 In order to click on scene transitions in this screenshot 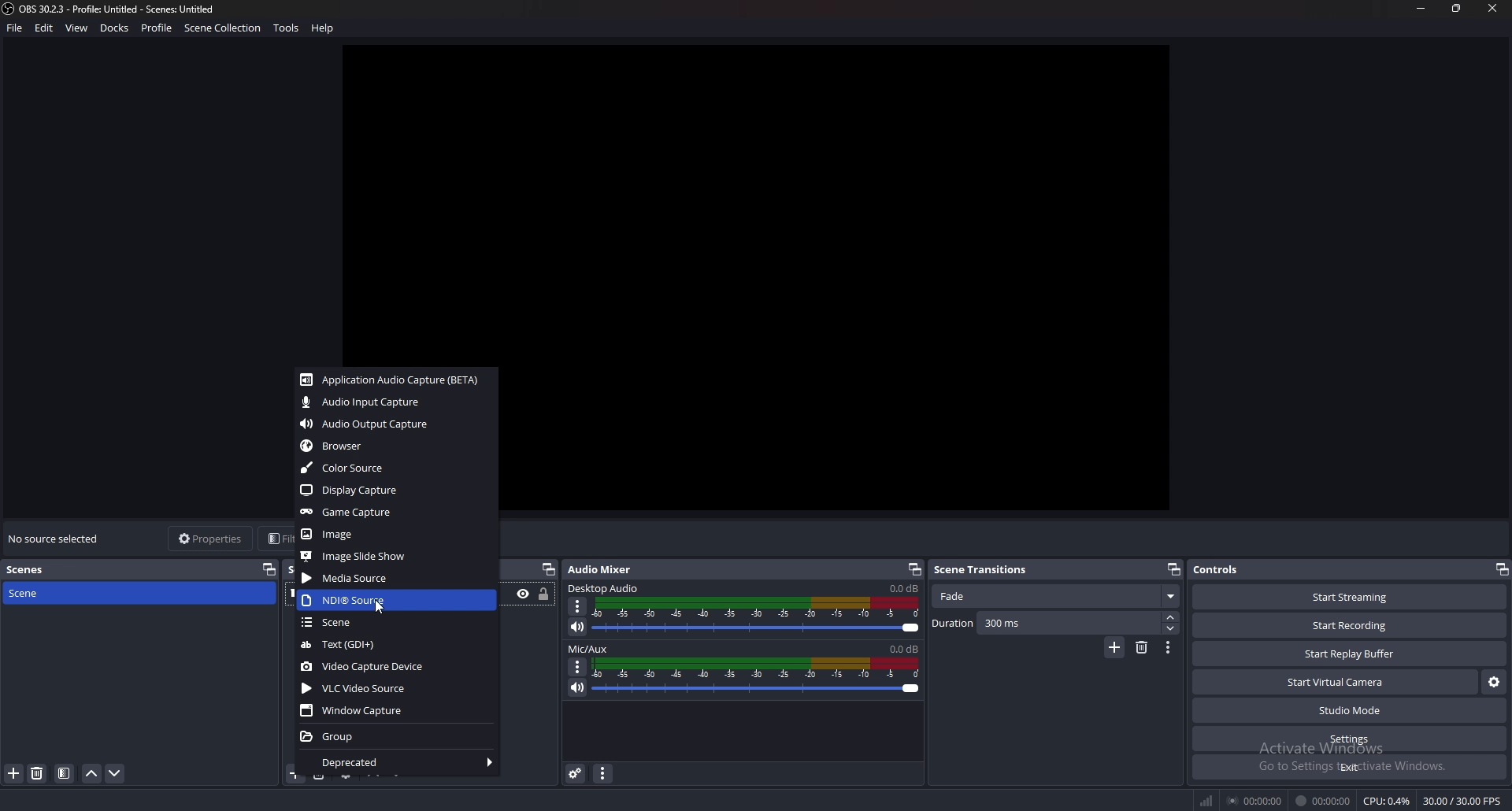, I will do `click(984, 570)`.